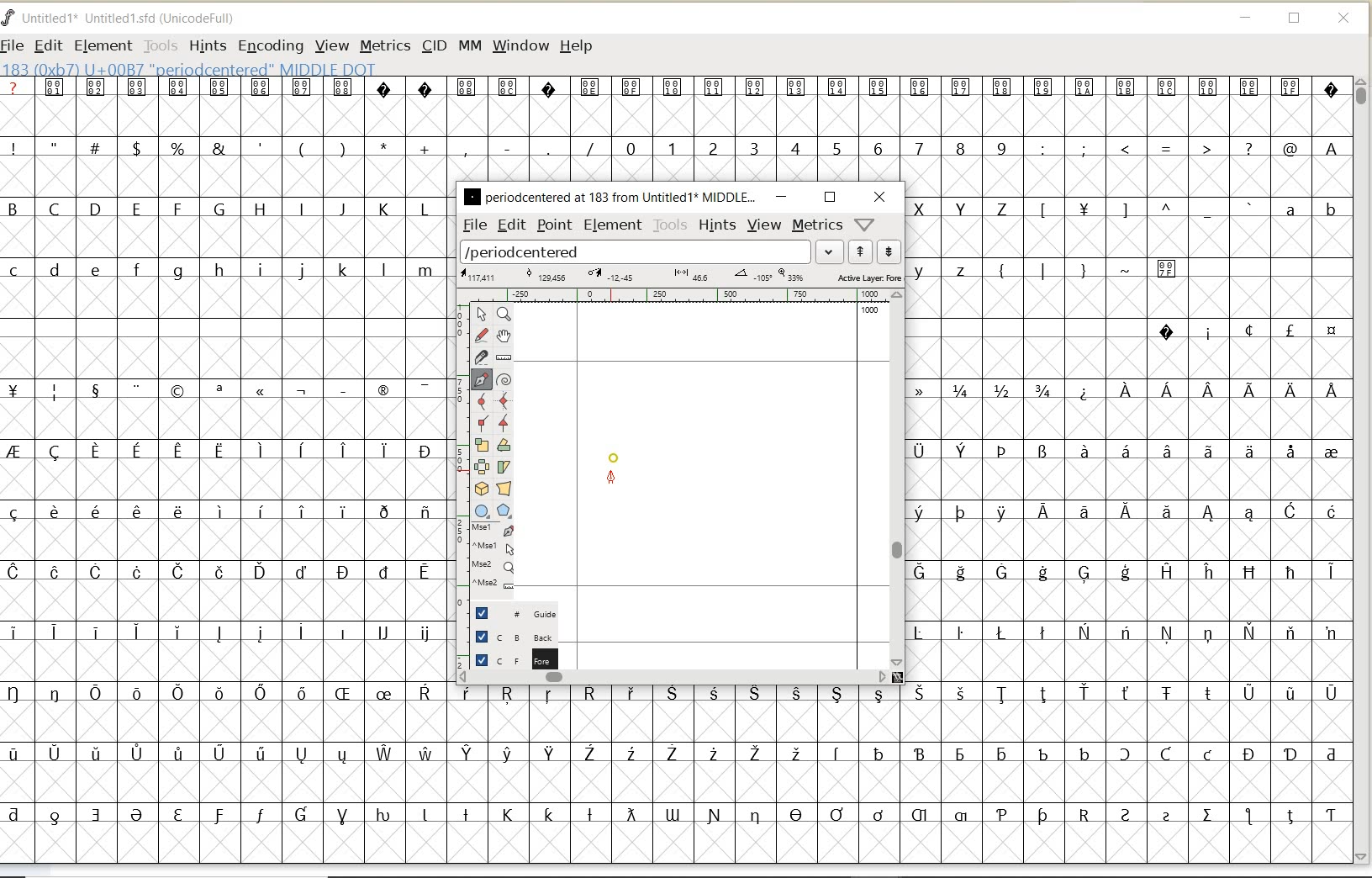  What do you see at coordinates (899, 478) in the screenshot?
I see `scrollbar` at bounding box center [899, 478].